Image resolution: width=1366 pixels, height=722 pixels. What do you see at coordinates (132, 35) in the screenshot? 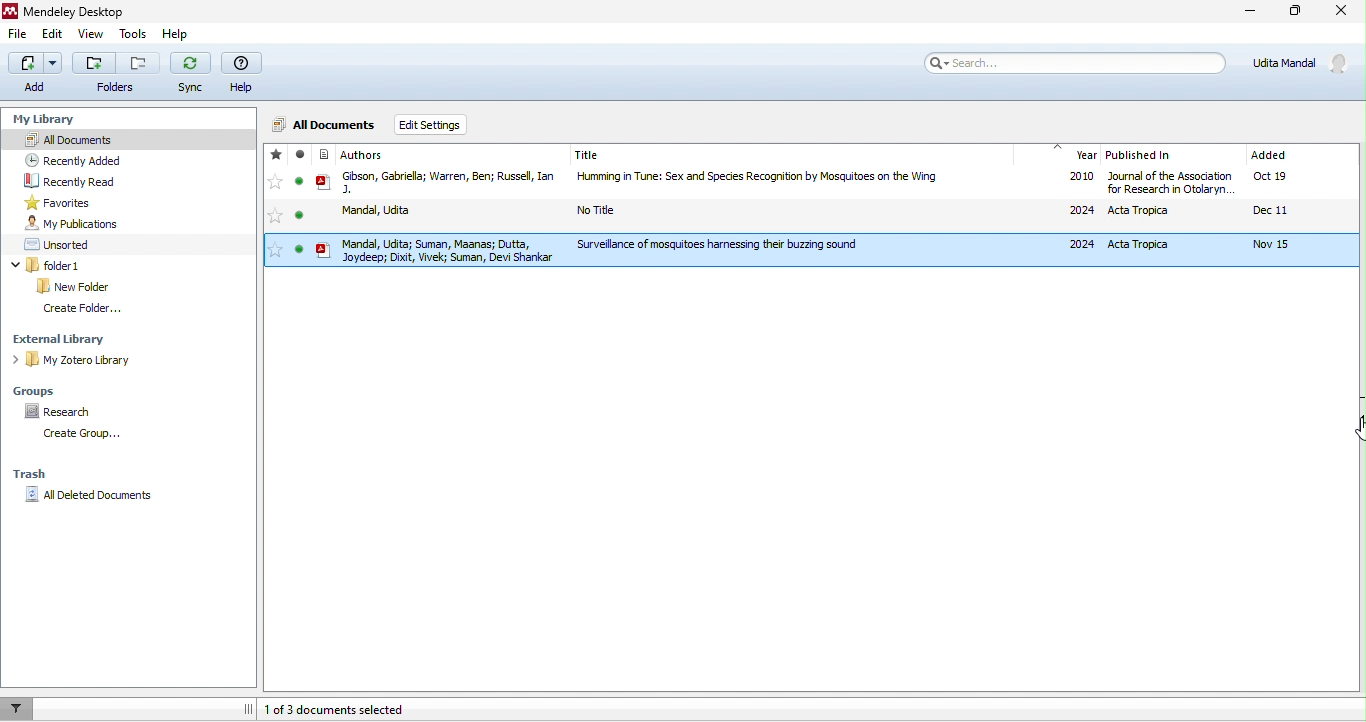
I see `tools` at bounding box center [132, 35].